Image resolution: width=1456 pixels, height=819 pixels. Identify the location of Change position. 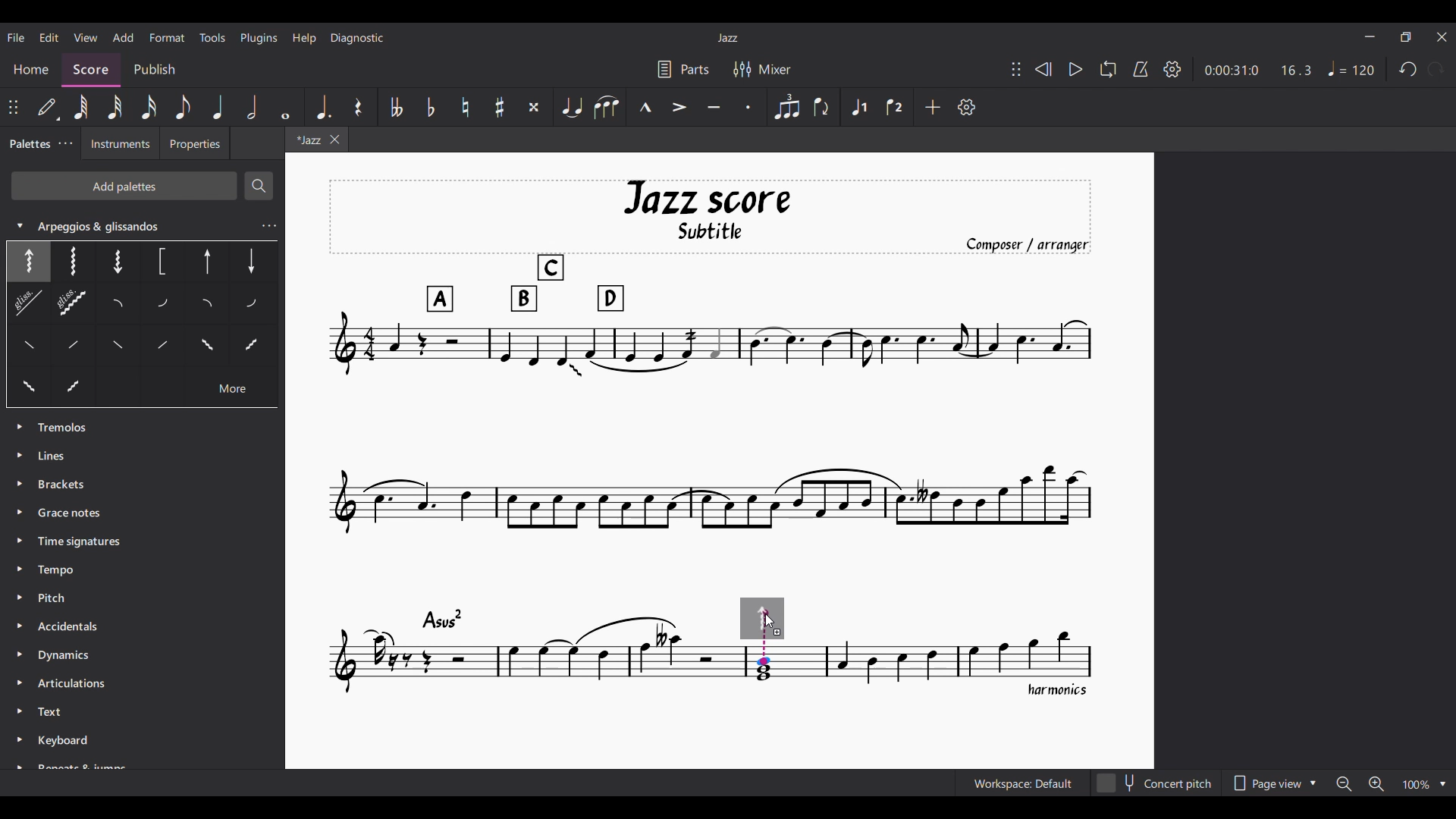
(13, 107).